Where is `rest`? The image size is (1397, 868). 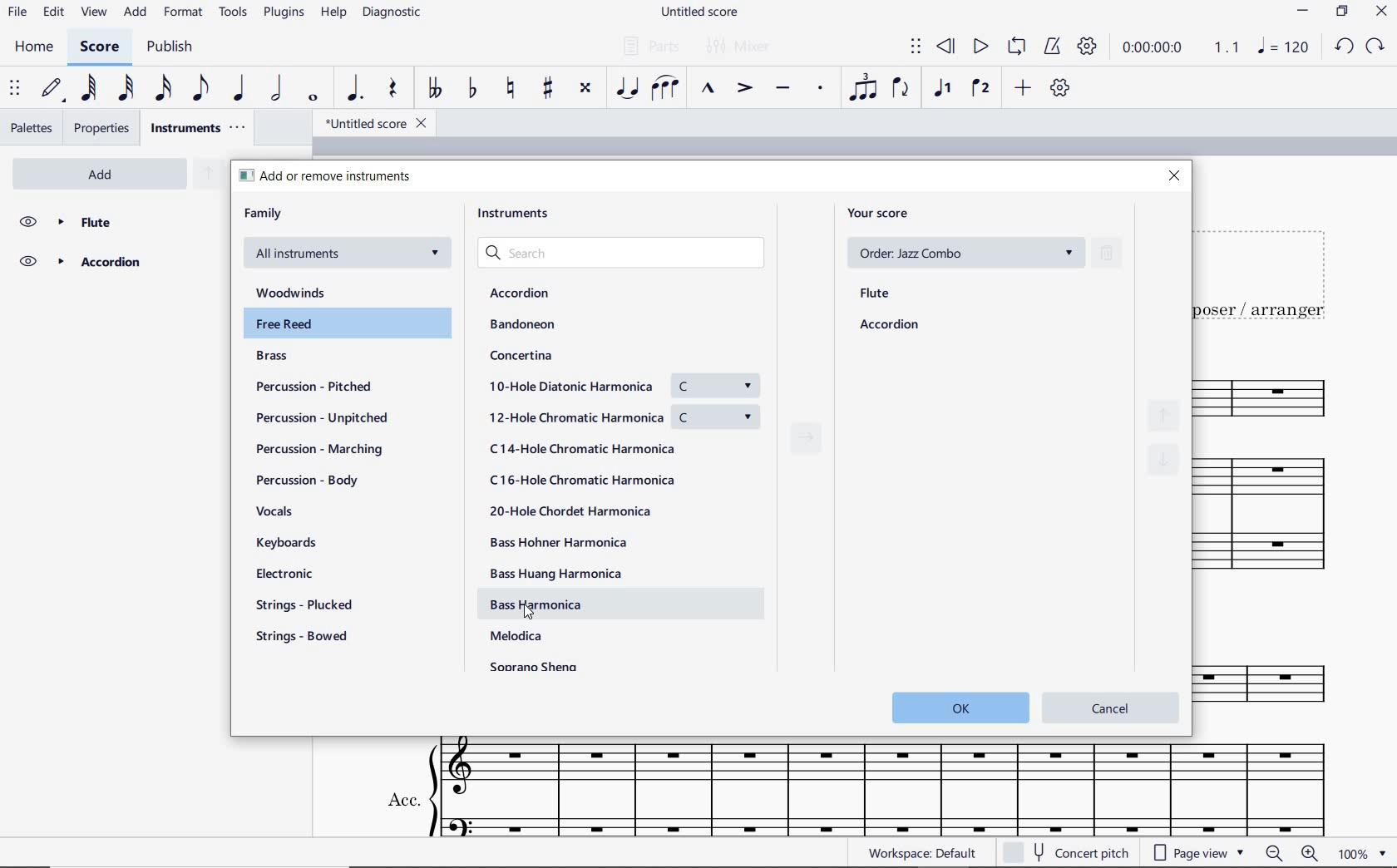
rest is located at coordinates (392, 89).